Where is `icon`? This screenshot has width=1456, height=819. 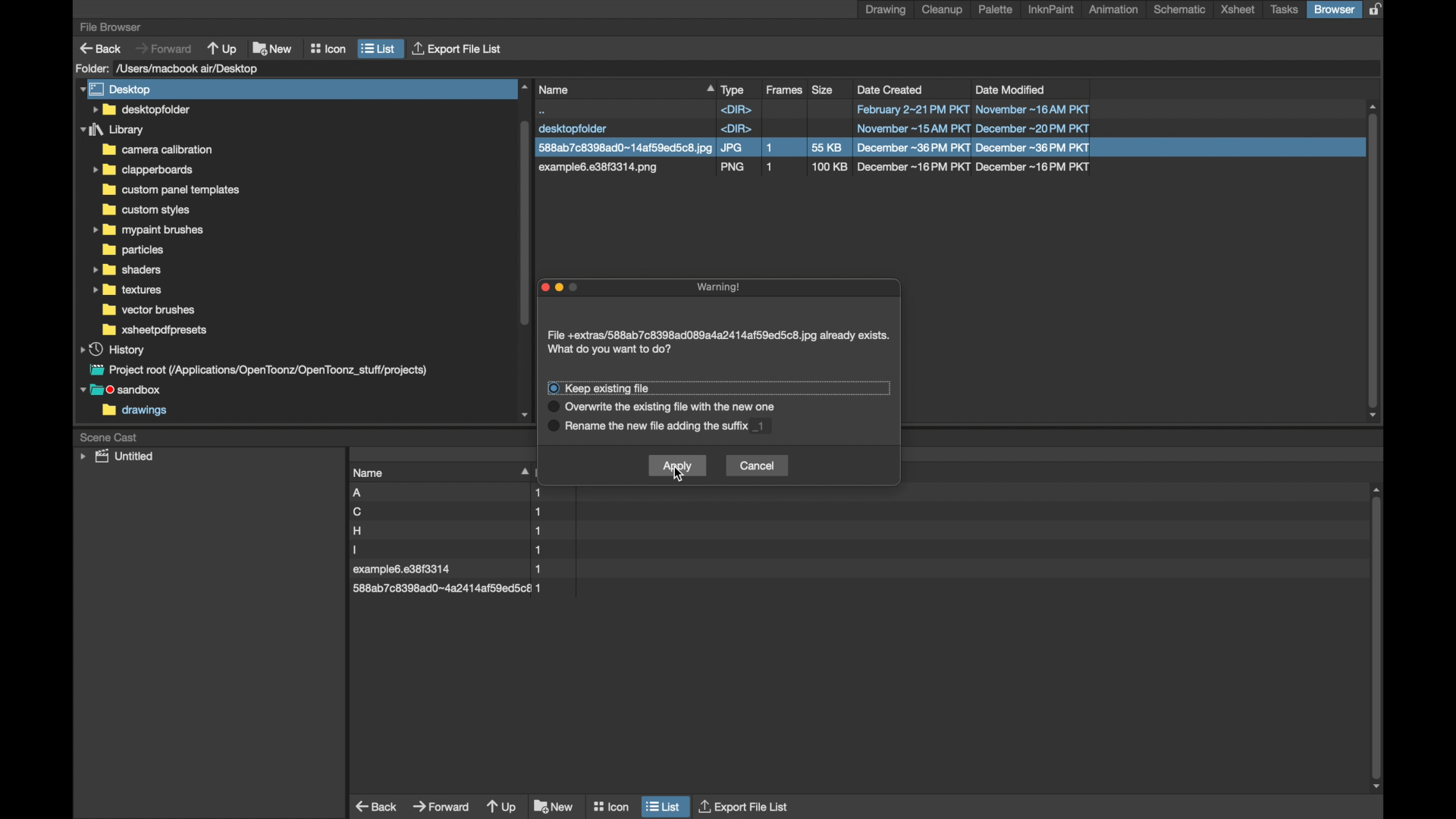 icon is located at coordinates (328, 49).